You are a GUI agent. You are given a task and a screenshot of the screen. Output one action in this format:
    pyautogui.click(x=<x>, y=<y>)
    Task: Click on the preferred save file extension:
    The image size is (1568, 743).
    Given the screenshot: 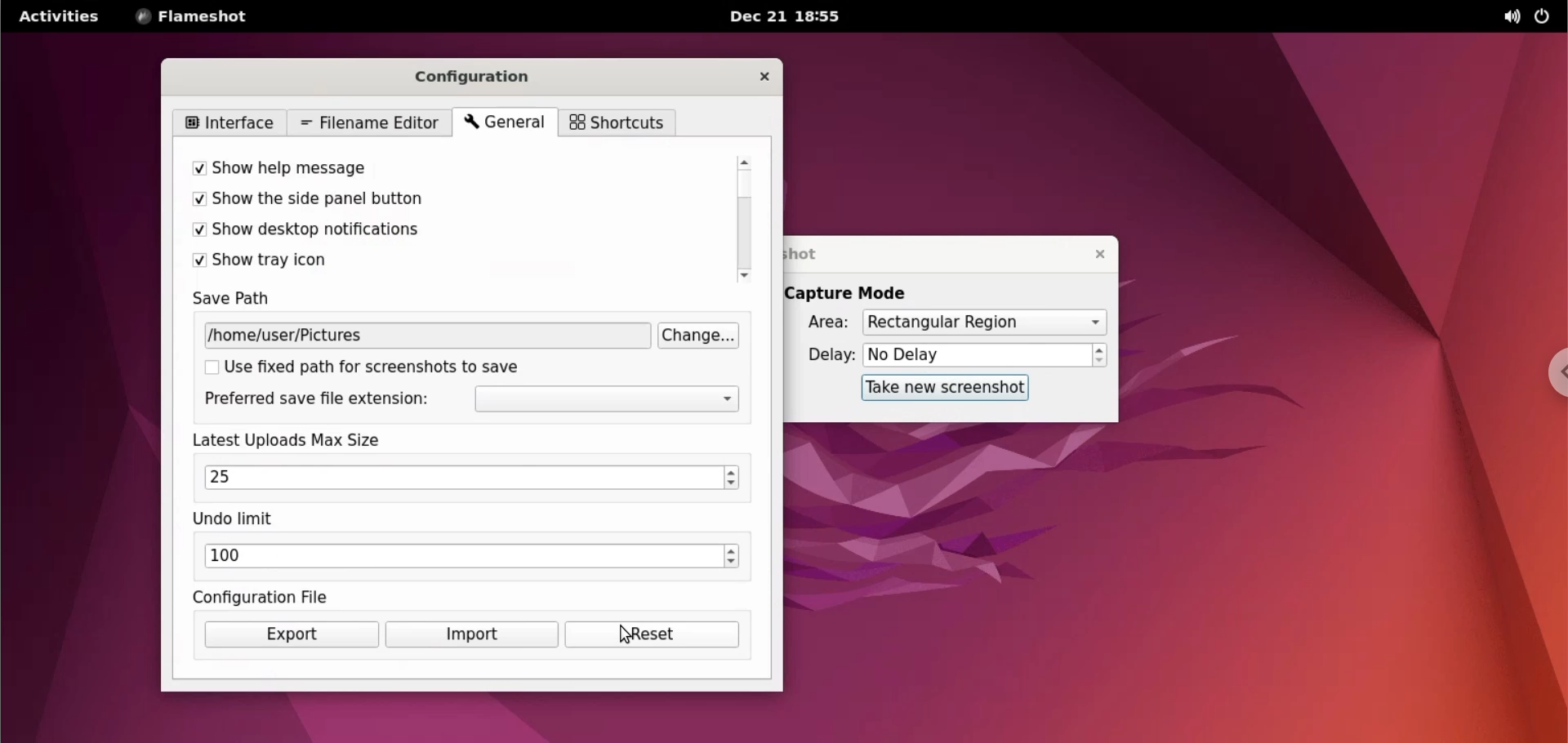 What is the action you would take?
    pyautogui.click(x=322, y=399)
    